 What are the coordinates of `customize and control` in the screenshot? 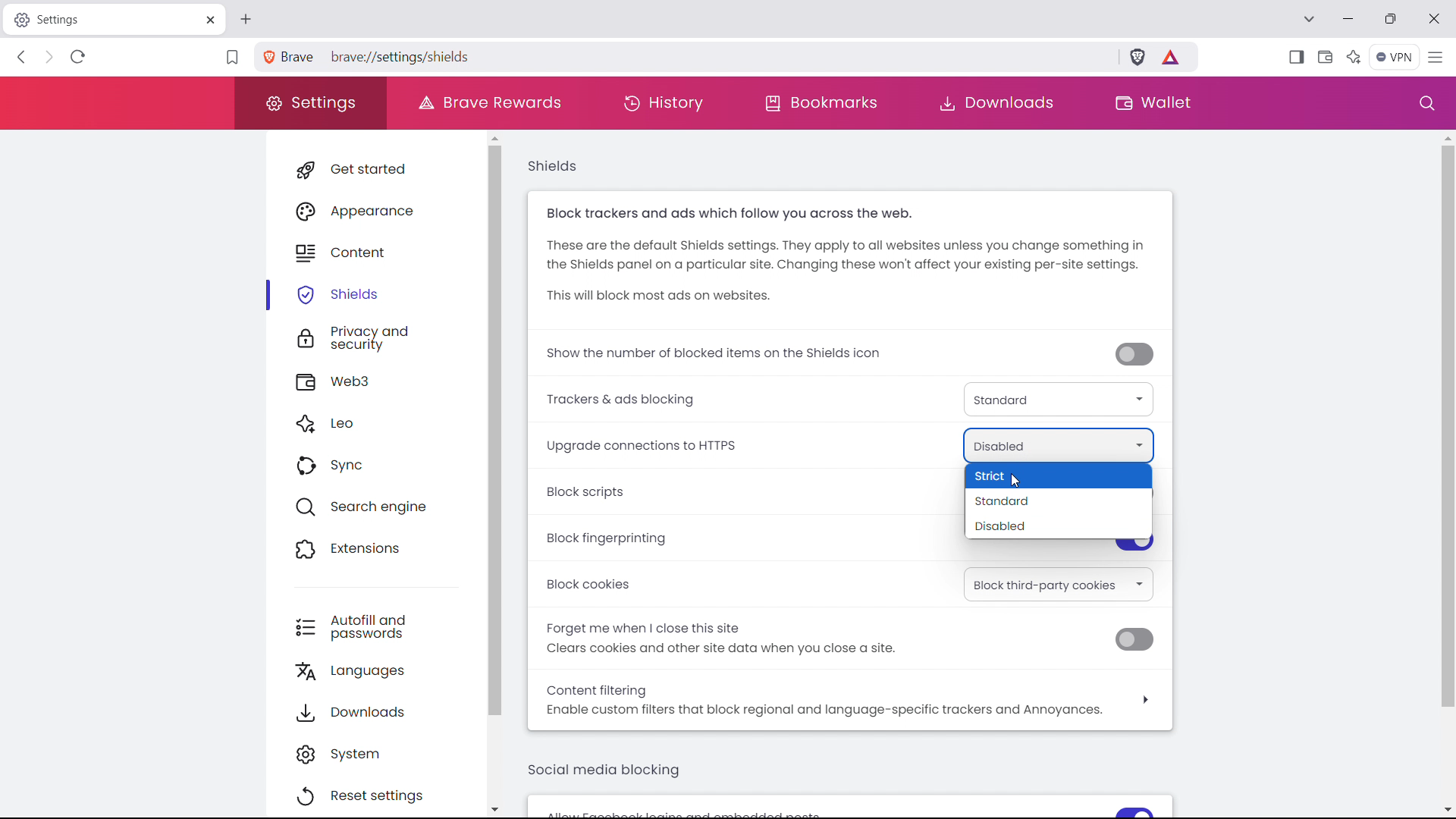 It's located at (1436, 58).